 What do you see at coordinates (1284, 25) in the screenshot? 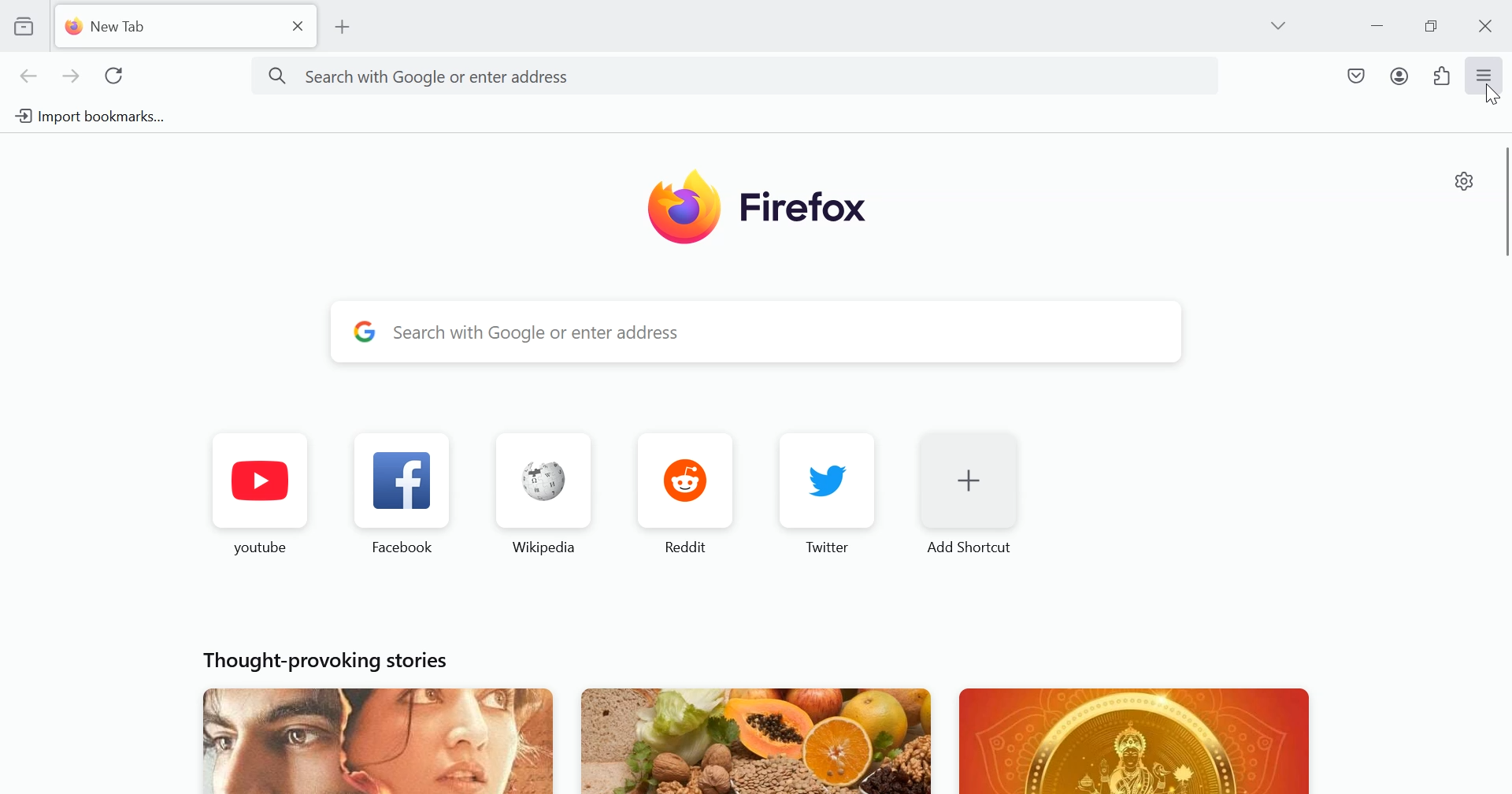
I see `List all tabs` at bounding box center [1284, 25].